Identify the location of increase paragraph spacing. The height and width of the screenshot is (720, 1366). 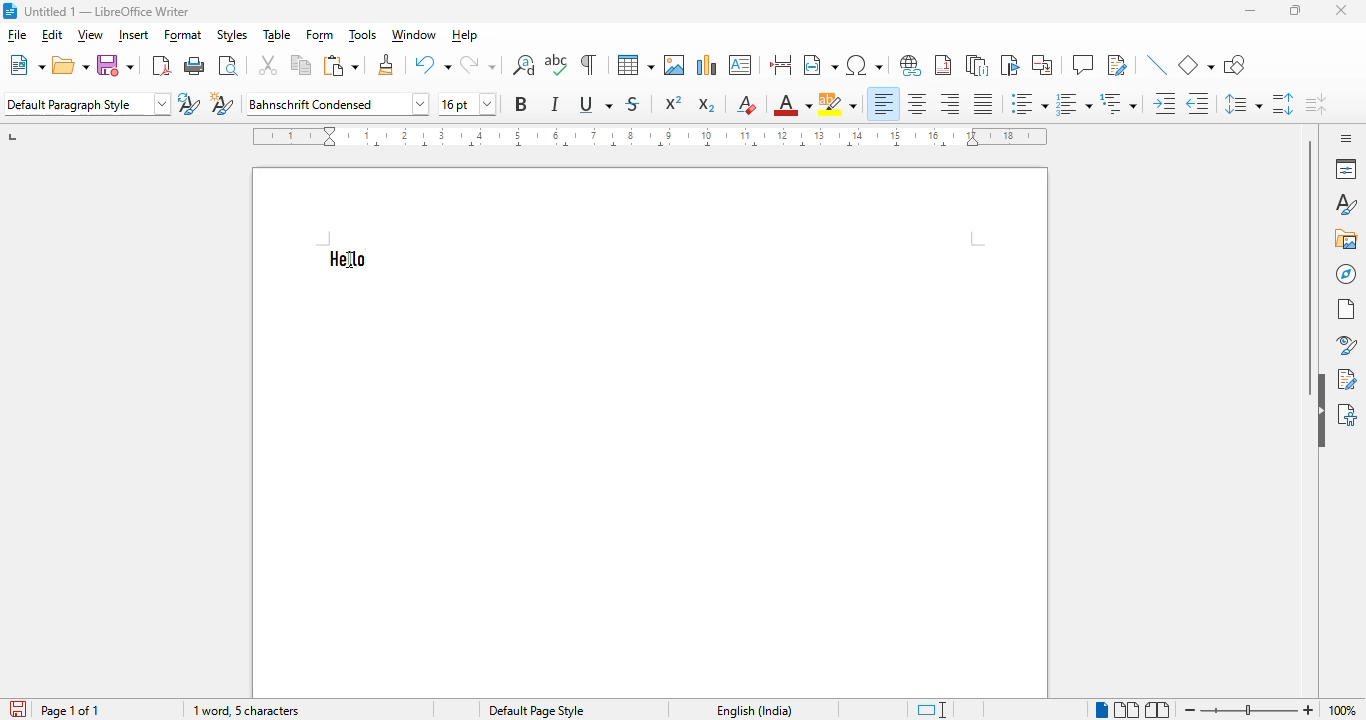
(1282, 104).